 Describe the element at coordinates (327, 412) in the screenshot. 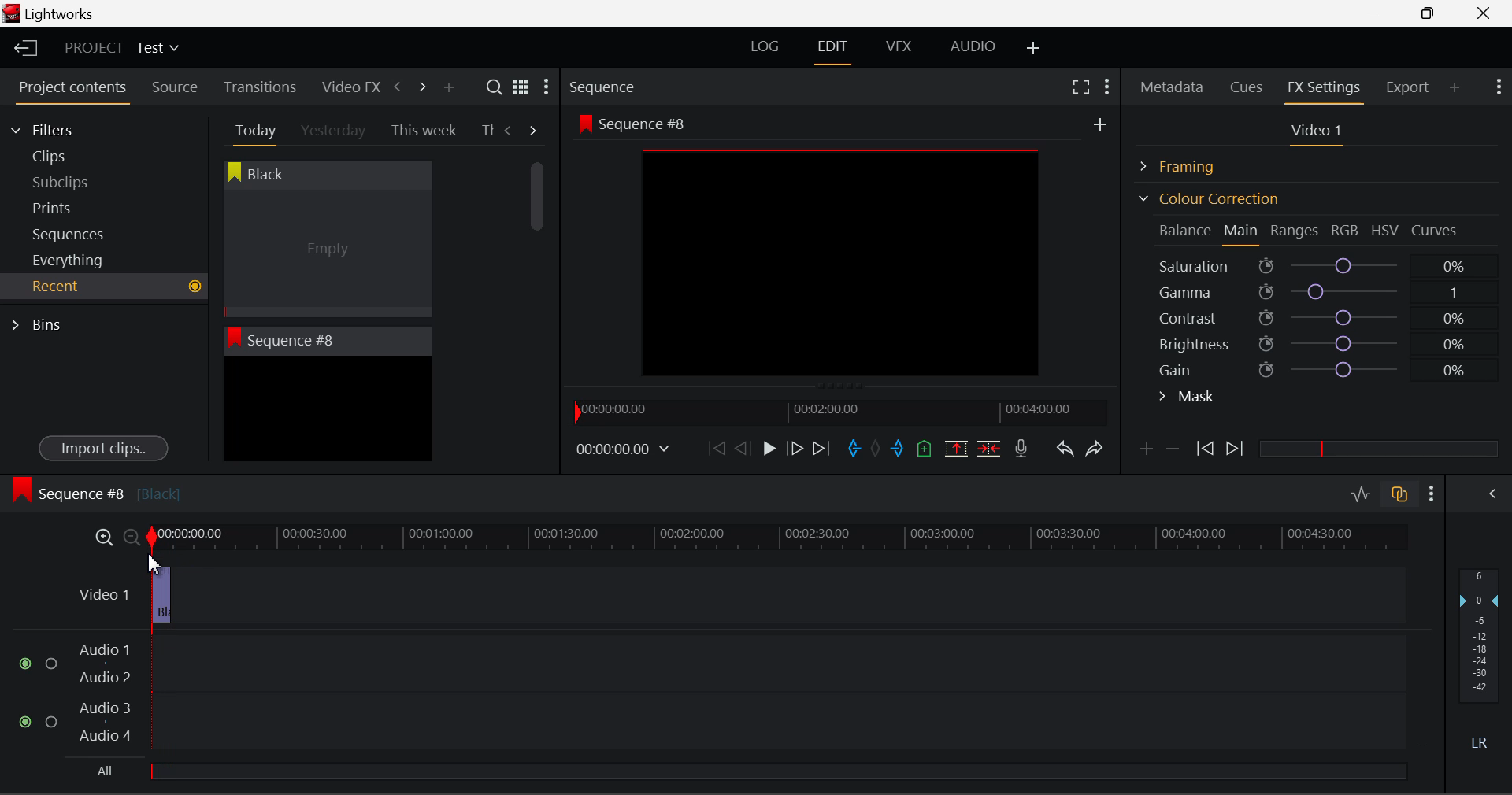

I see `Recent Clip` at that location.